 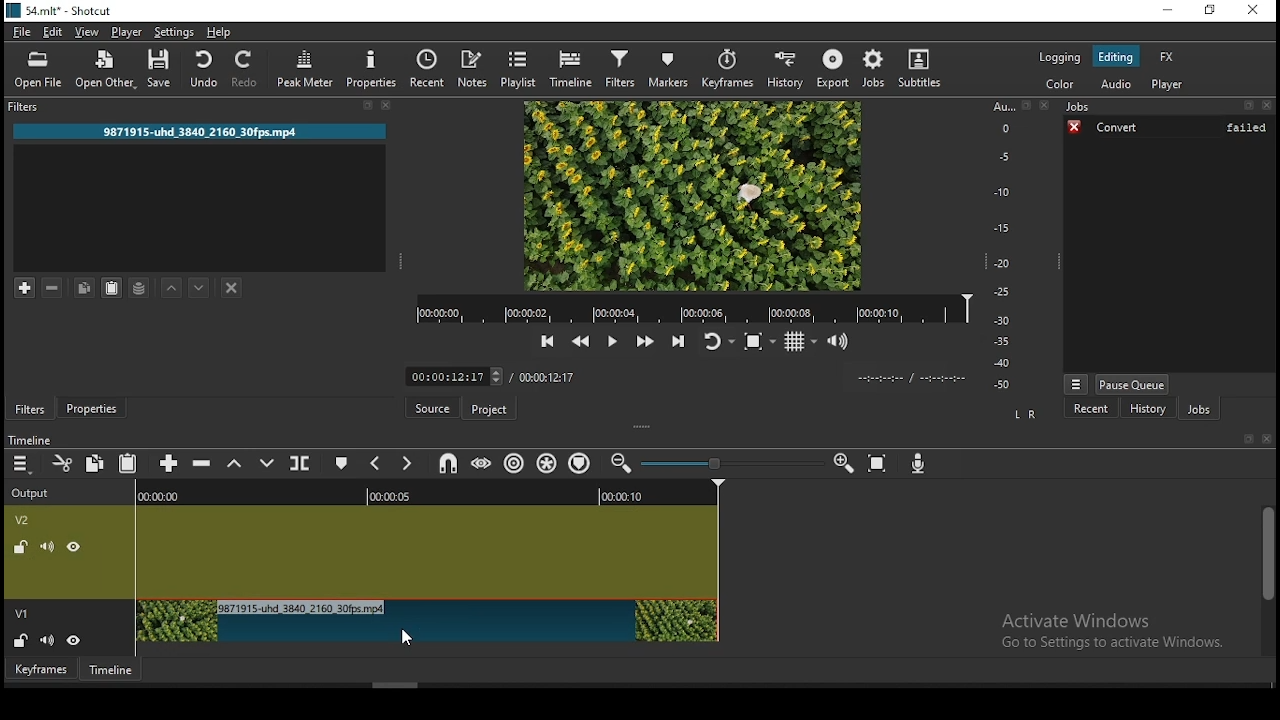 What do you see at coordinates (267, 461) in the screenshot?
I see `overwrite` at bounding box center [267, 461].